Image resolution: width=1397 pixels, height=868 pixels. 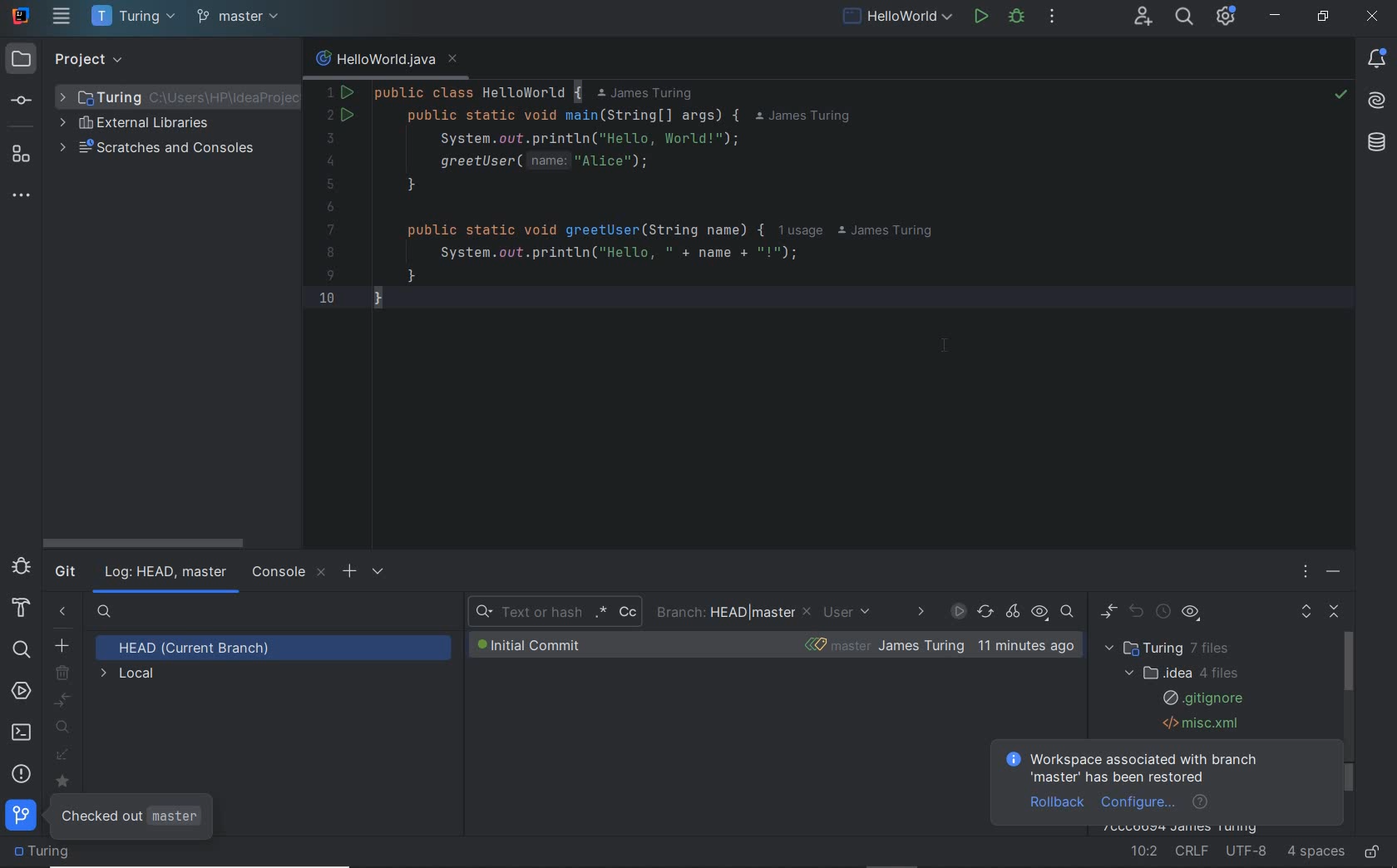 What do you see at coordinates (1324, 17) in the screenshot?
I see `restore down` at bounding box center [1324, 17].